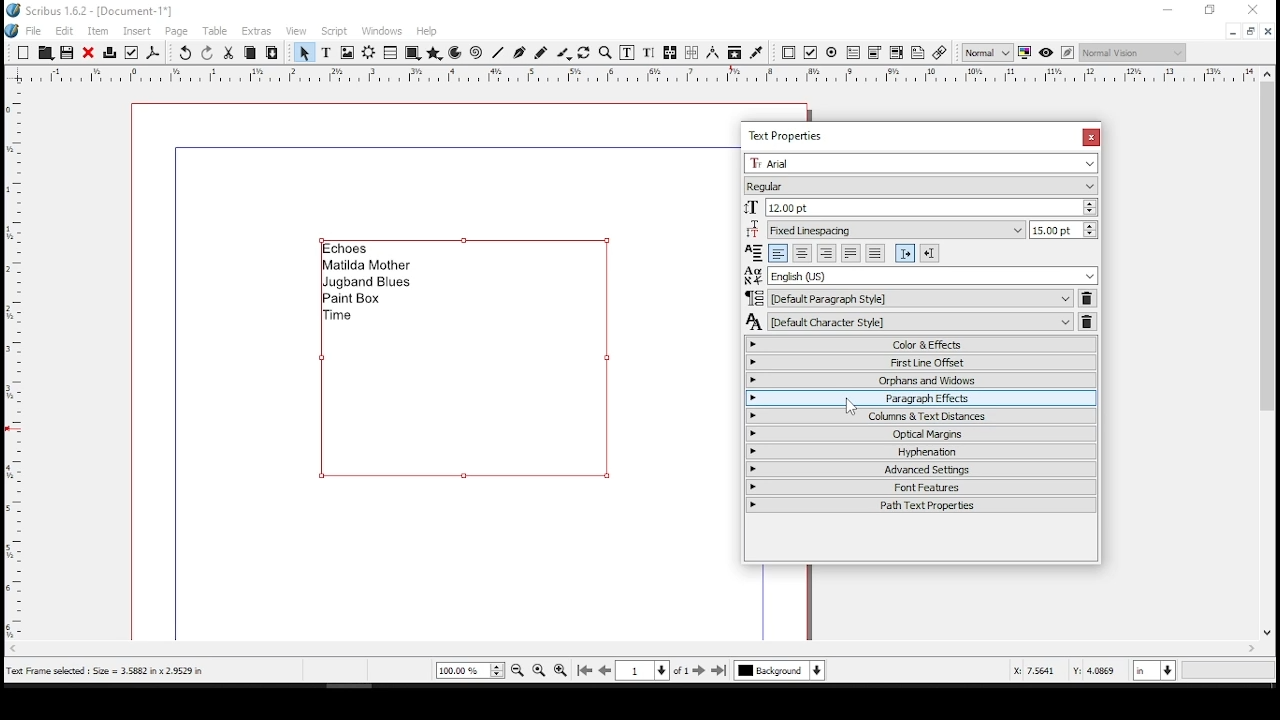  I want to click on pdf list box, so click(896, 54).